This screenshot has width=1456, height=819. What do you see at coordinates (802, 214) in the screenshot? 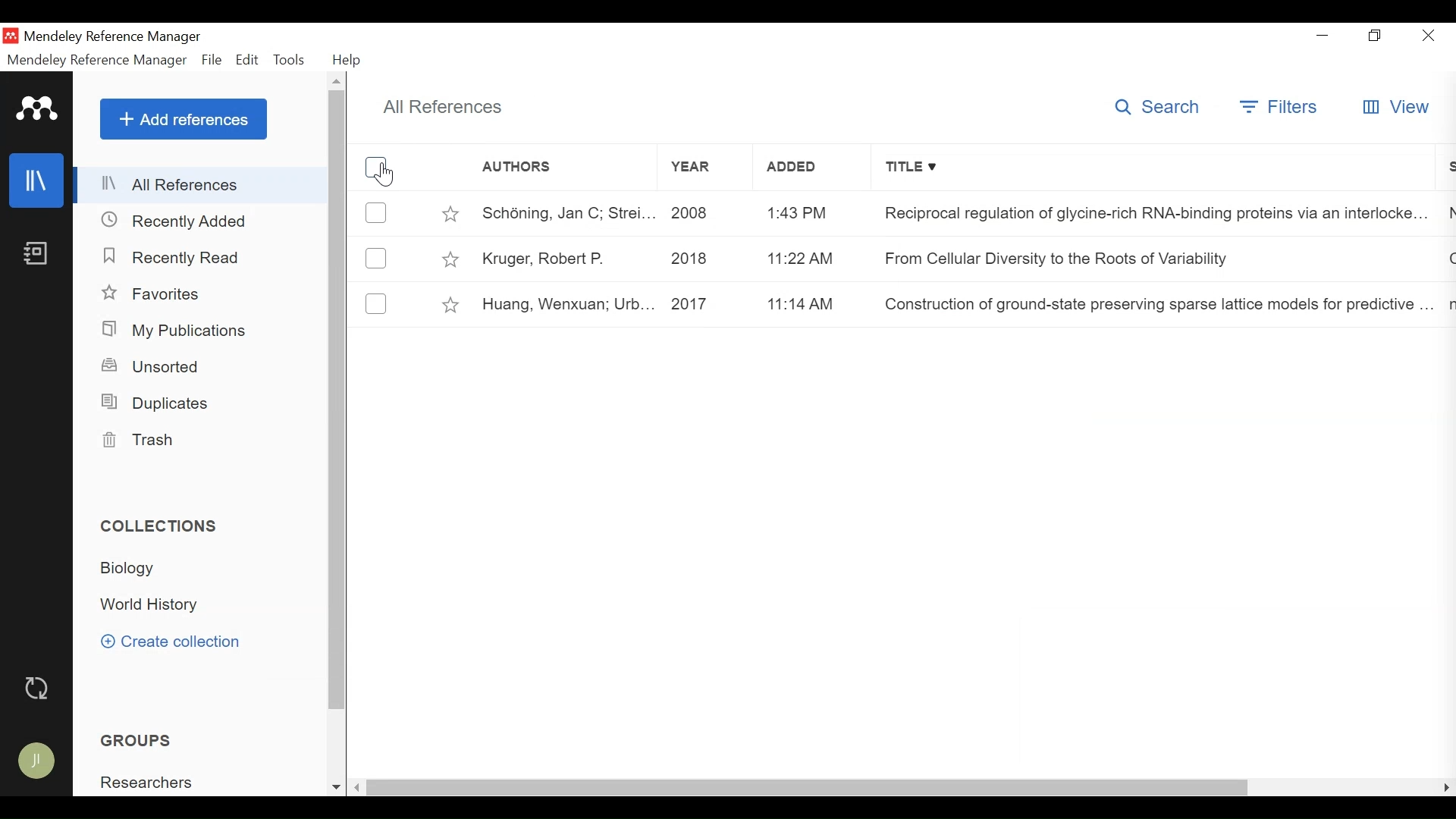
I see `1:43 PM` at bounding box center [802, 214].